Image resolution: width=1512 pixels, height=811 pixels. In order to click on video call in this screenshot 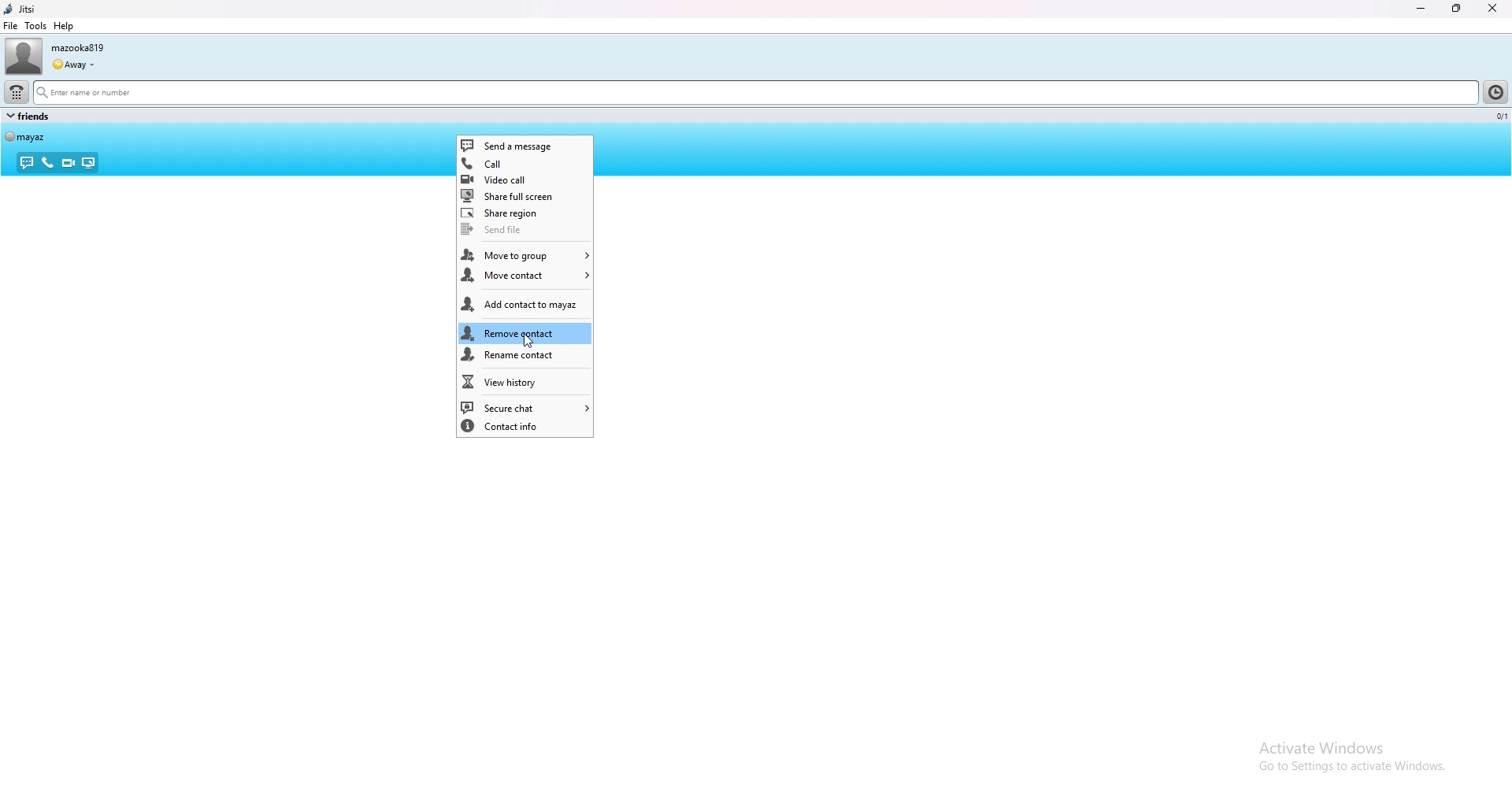, I will do `click(68, 163)`.